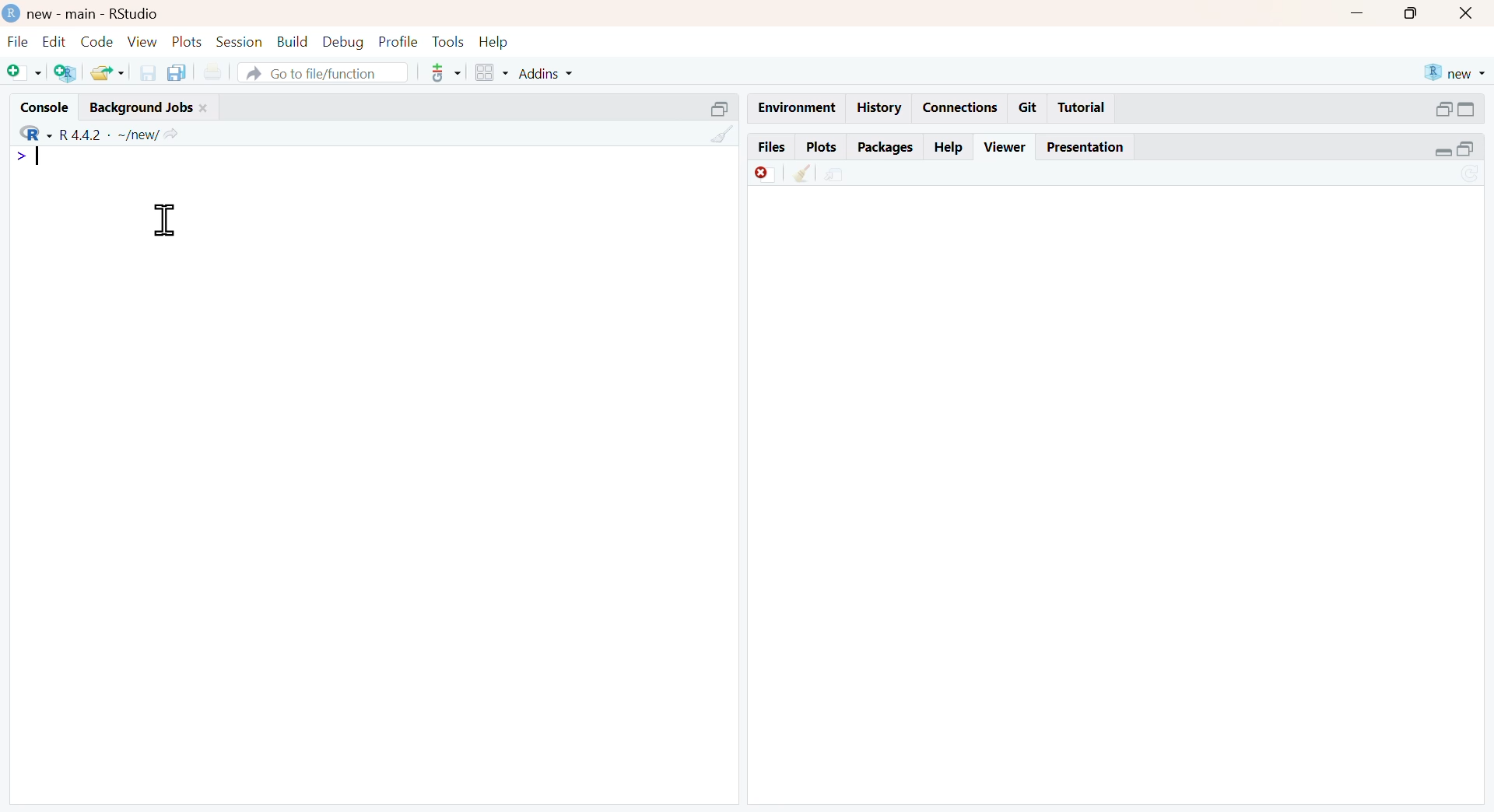 This screenshot has width=1494, height=812. What do you see at coordinates (886, 145) in the screenshot?
I see `Packages` at bounding box center [886, 145].